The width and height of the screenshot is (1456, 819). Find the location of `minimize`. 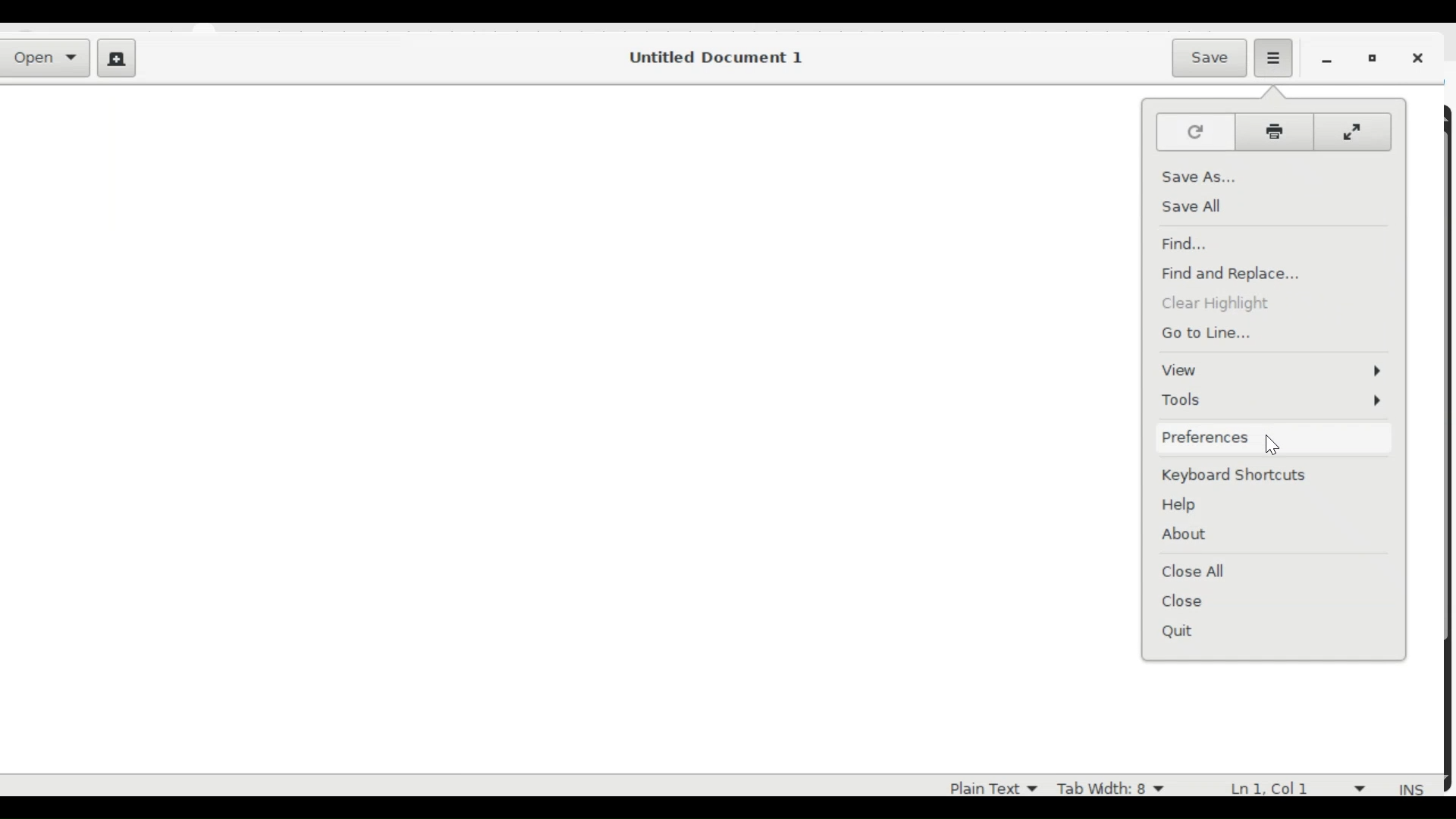

minimize is located at coordinates (1330, 60).